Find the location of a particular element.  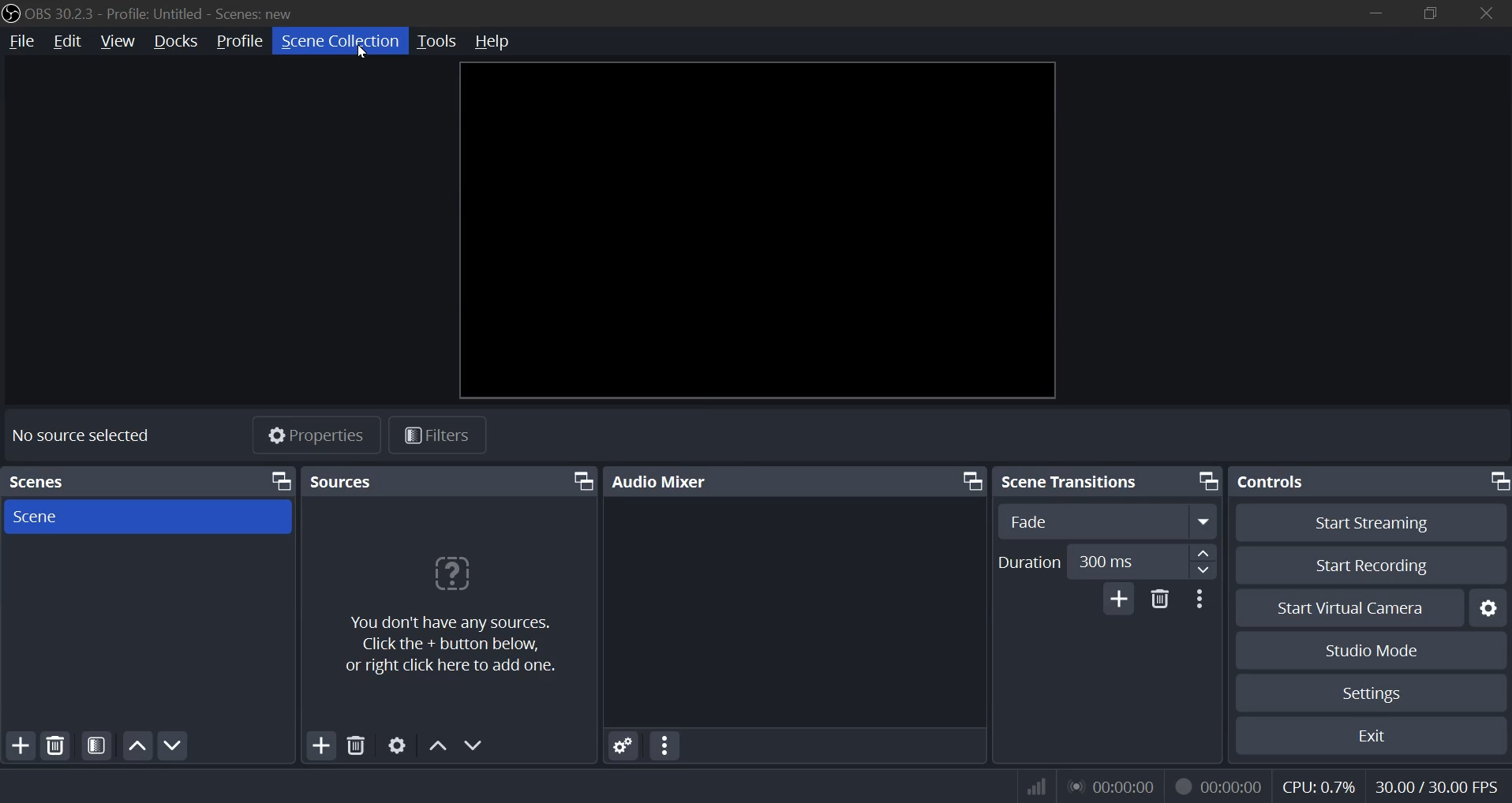

move up scene is located at coordinates (137, 745).